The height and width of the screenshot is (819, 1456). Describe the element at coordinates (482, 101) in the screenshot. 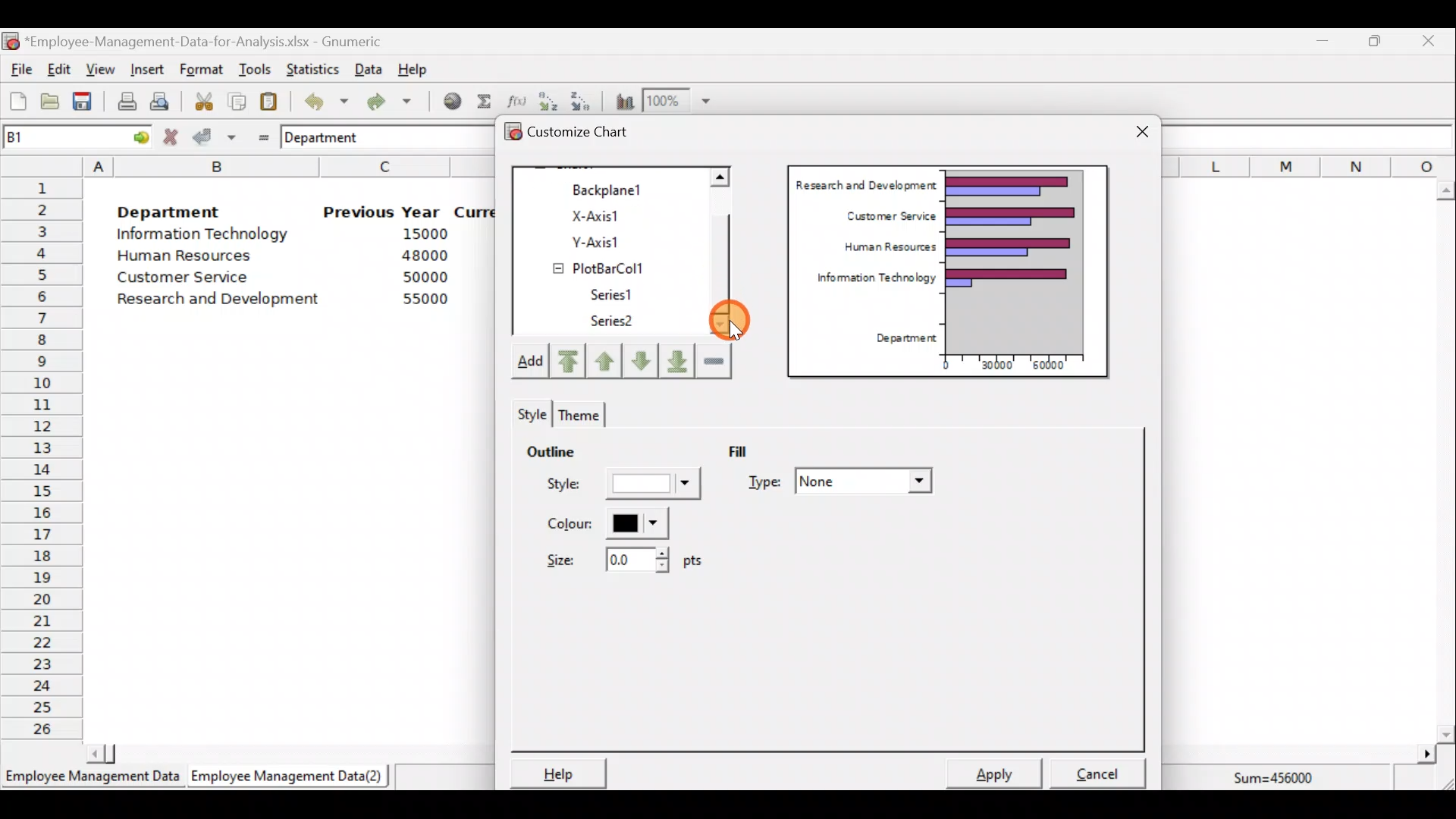

I see `Sum into the current cell` at that location.